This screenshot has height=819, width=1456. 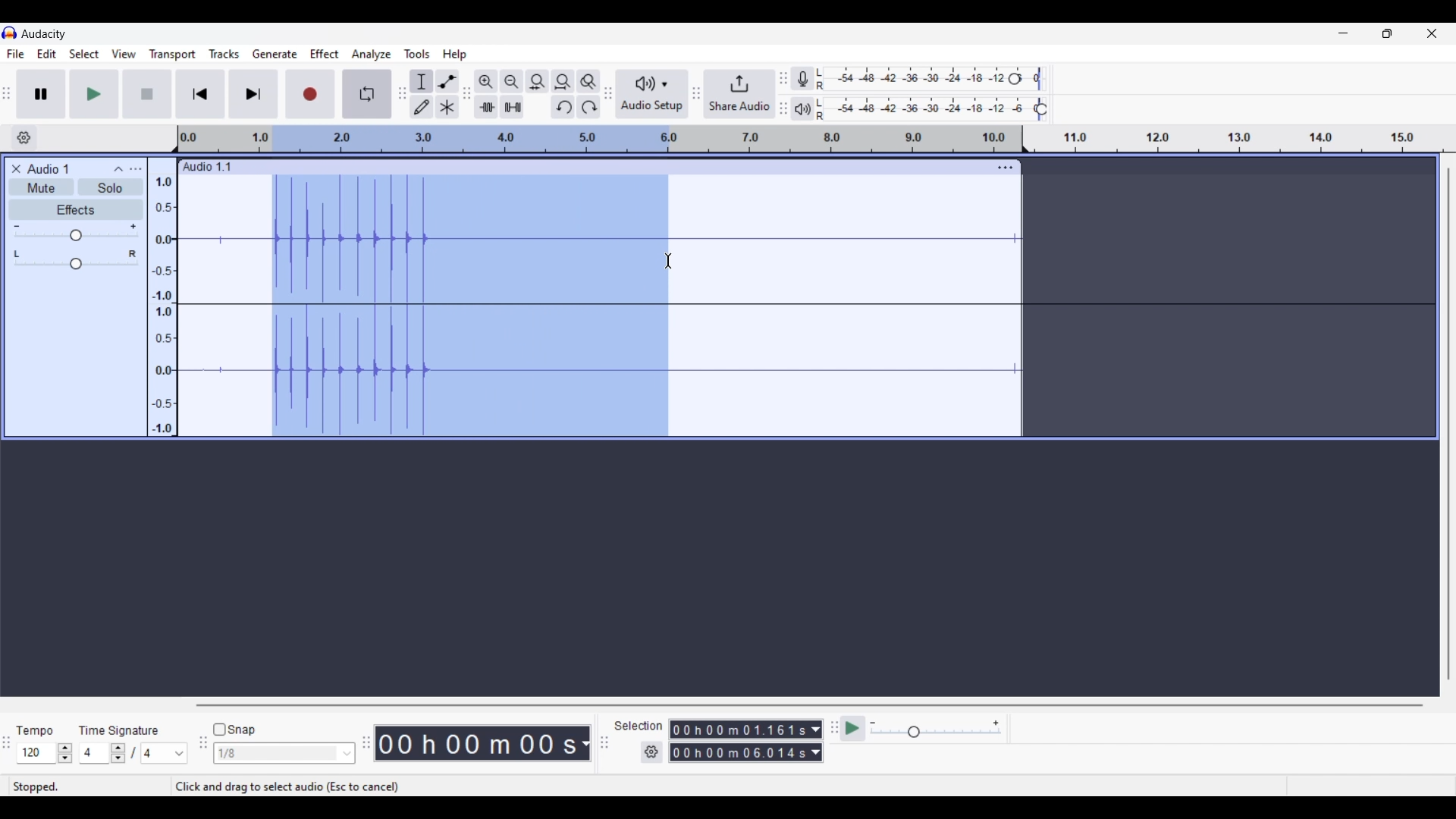 What do you see at coordinates (34, 730) in the screenshot?
I see `Tempo` at bounding box center [34, 730].